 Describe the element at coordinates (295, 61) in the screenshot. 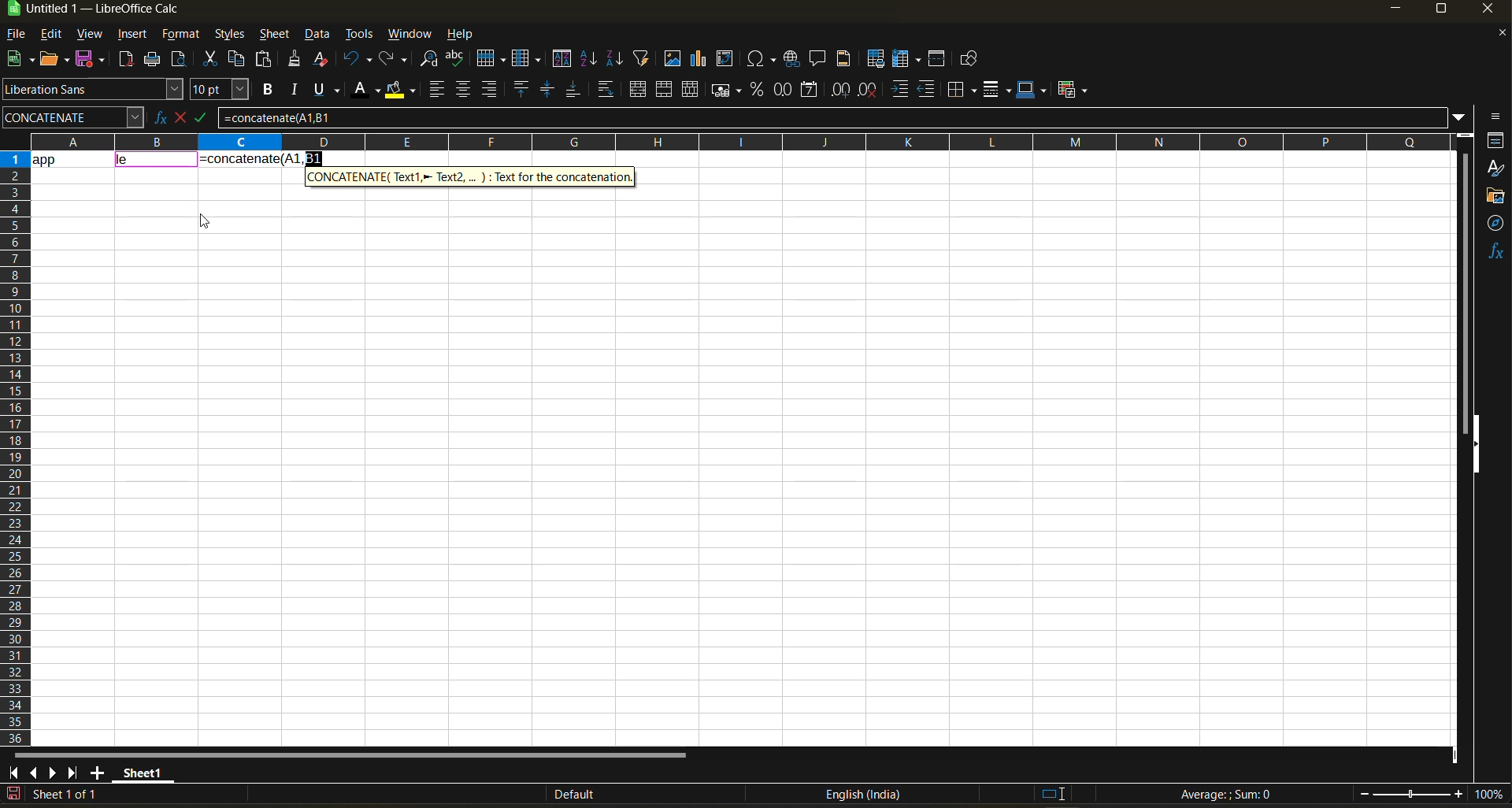

I see `clone formatting` at that location.